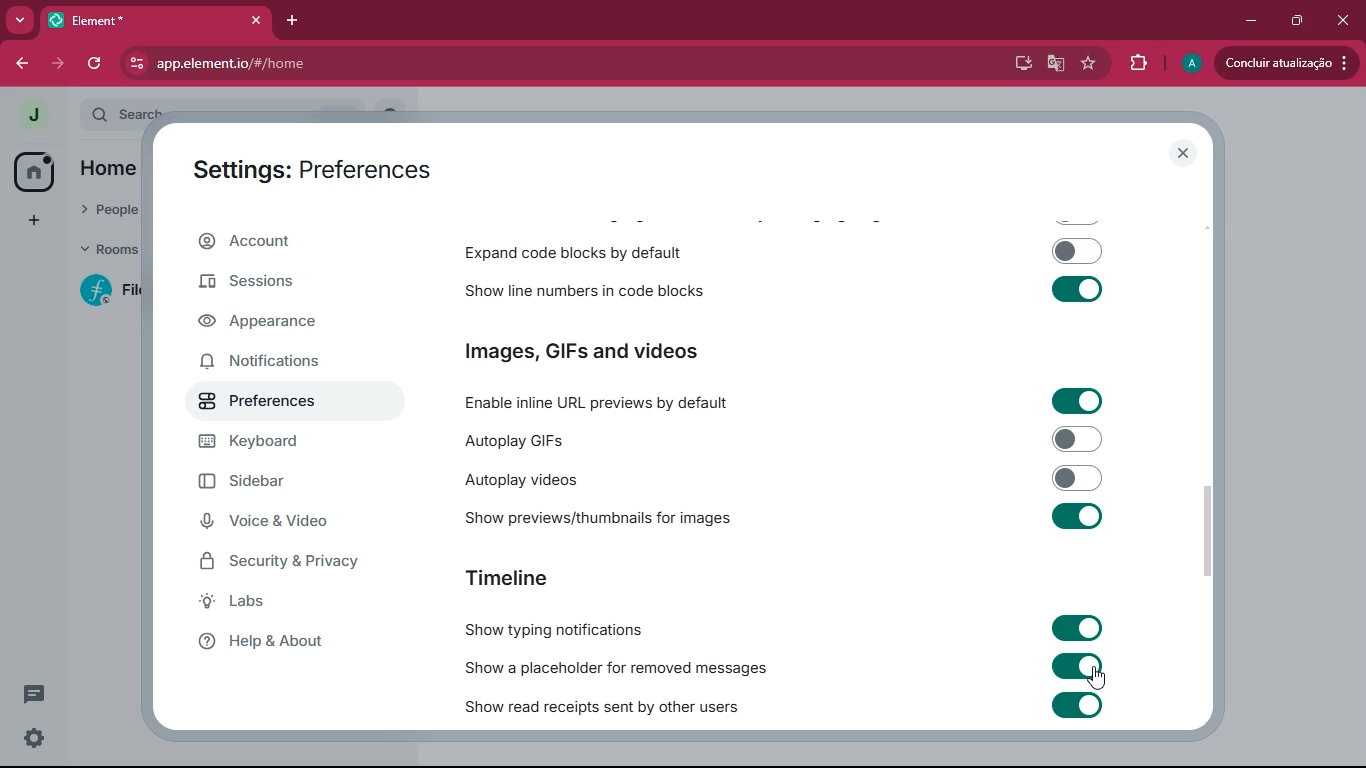 This screenshot has height=768, width=1366. Describe the element at coordinates (134, 21) in the screenshot. I see `tab` at that location.